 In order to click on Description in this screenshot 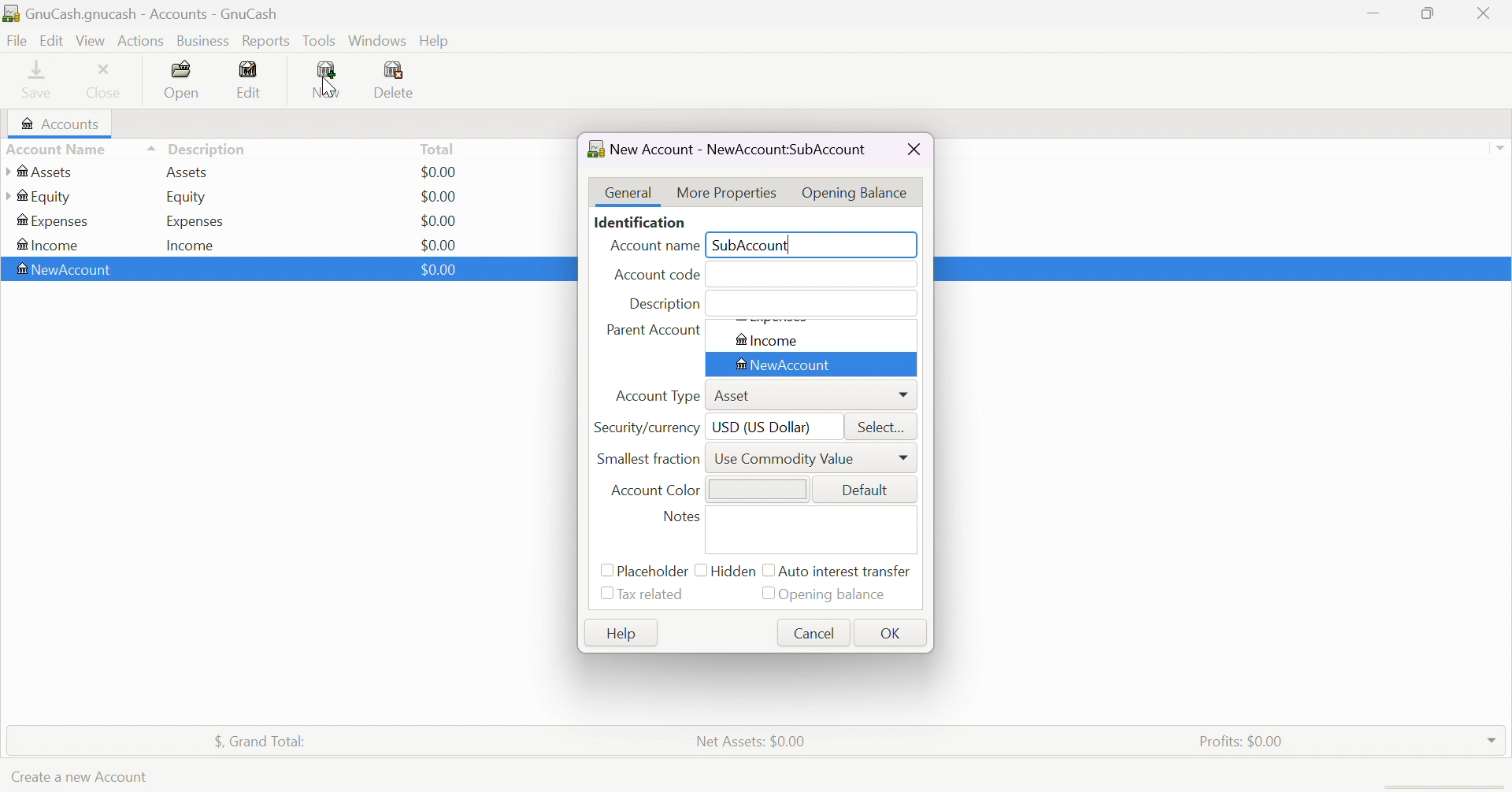, I will do `click(667, 305)`.